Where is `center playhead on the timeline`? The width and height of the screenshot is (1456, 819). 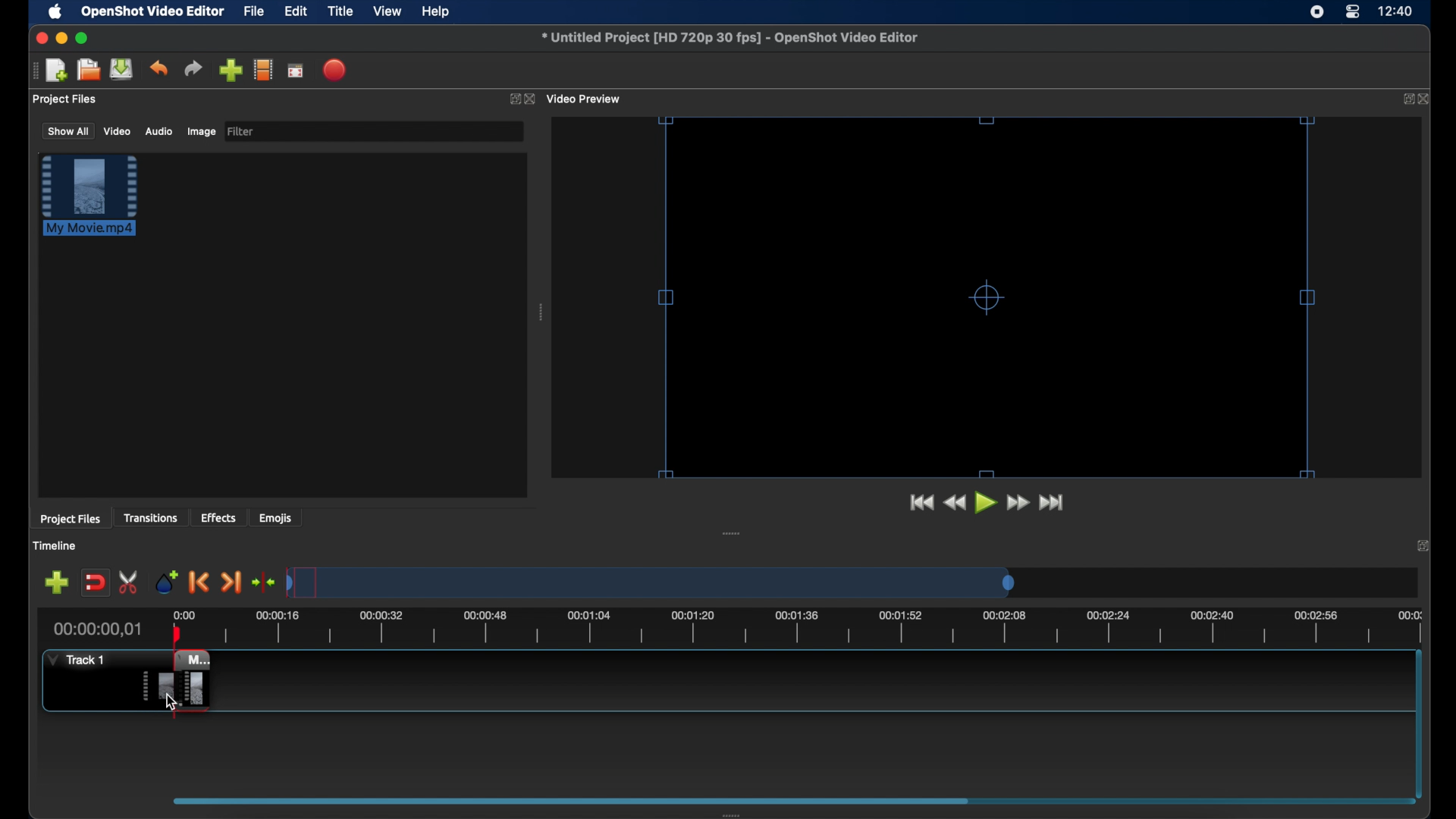 center playhead on the timeline is located at coordinates (262, 582).